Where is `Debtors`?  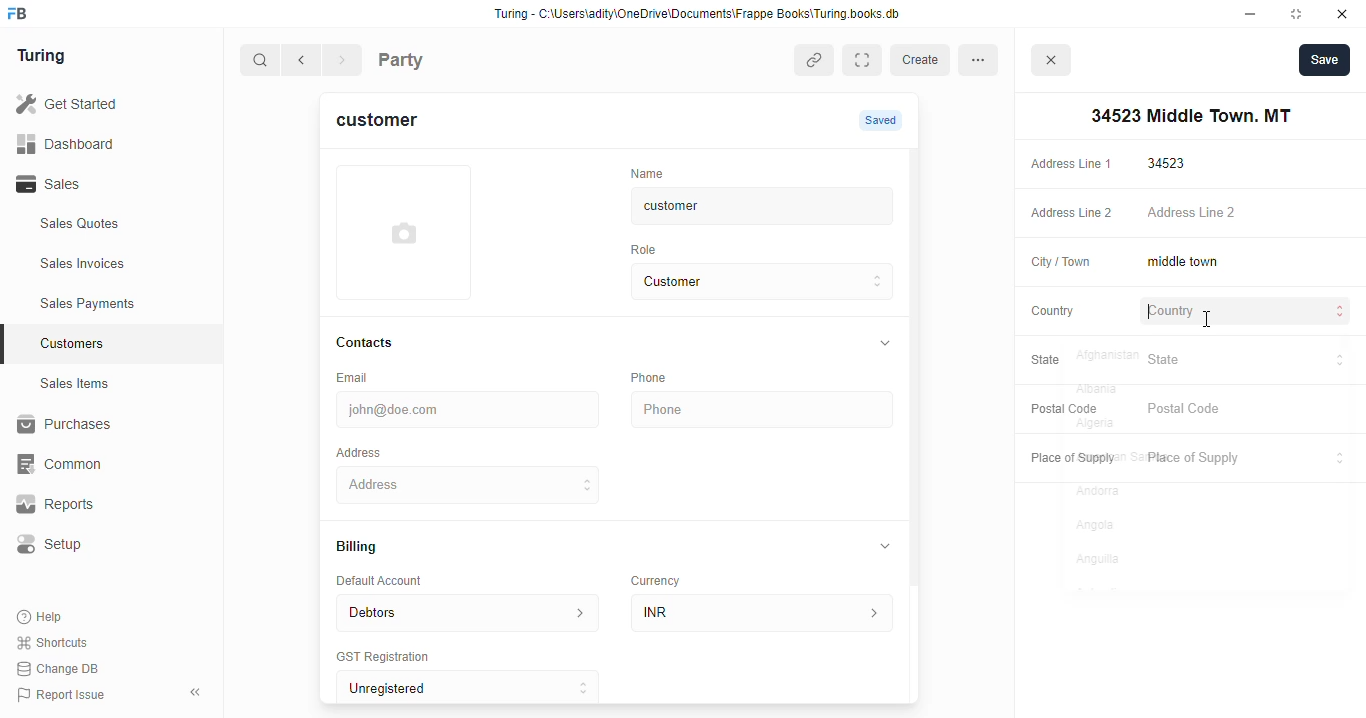 Debtors is located at coordinates (467, 611).